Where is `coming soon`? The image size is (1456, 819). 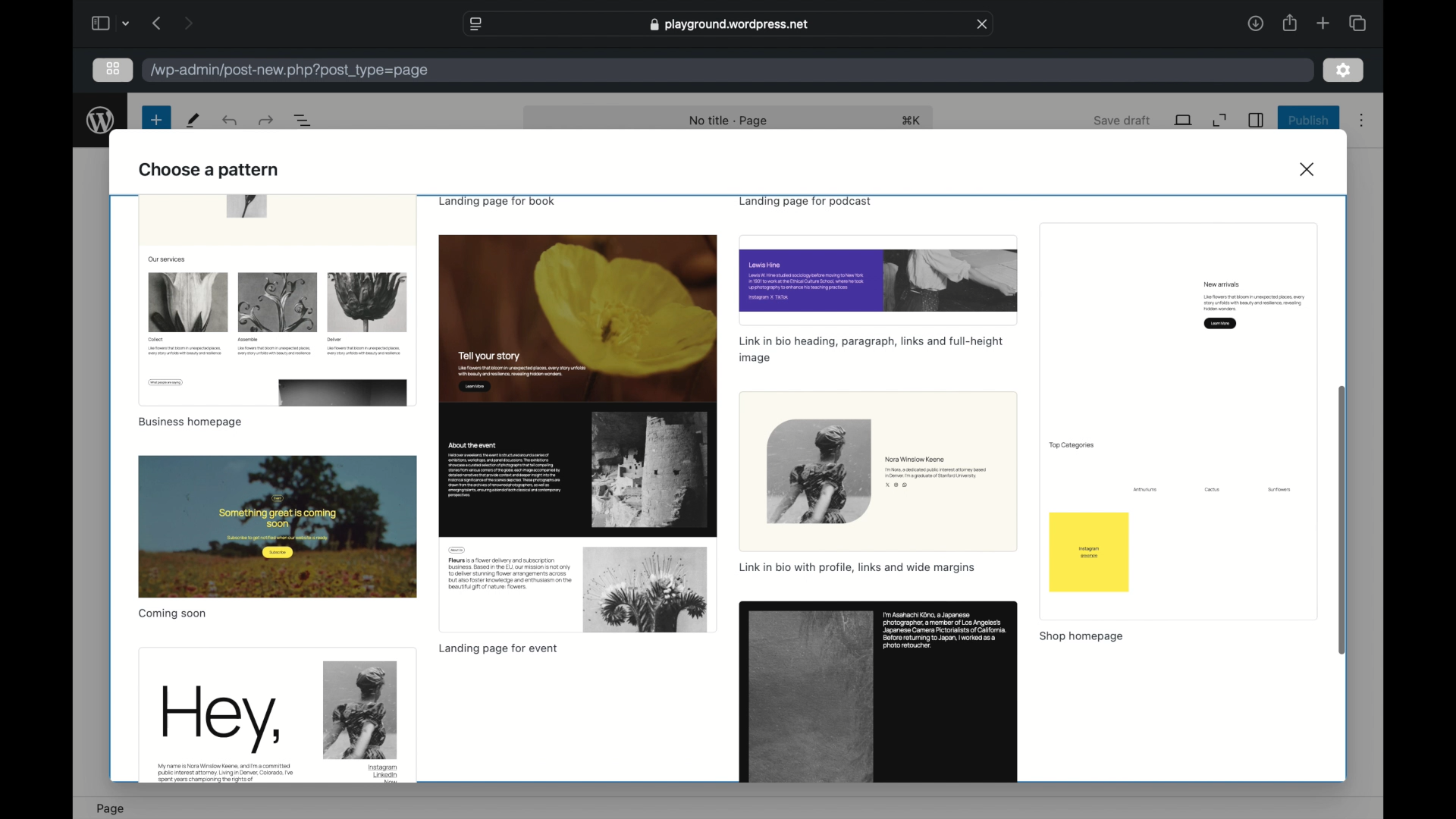 coming soon is located at coordinates (174, 614).